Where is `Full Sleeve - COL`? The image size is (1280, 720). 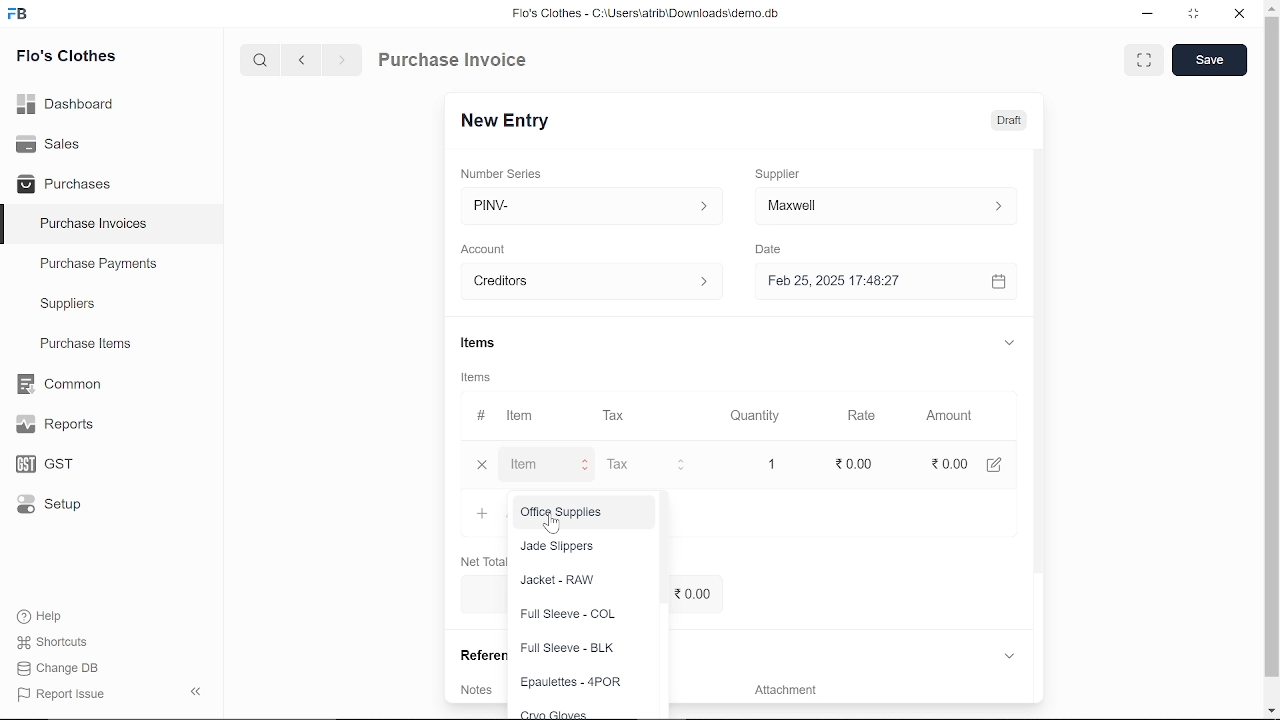 Full Sleeve - COL is located at coordinates (579, 614).